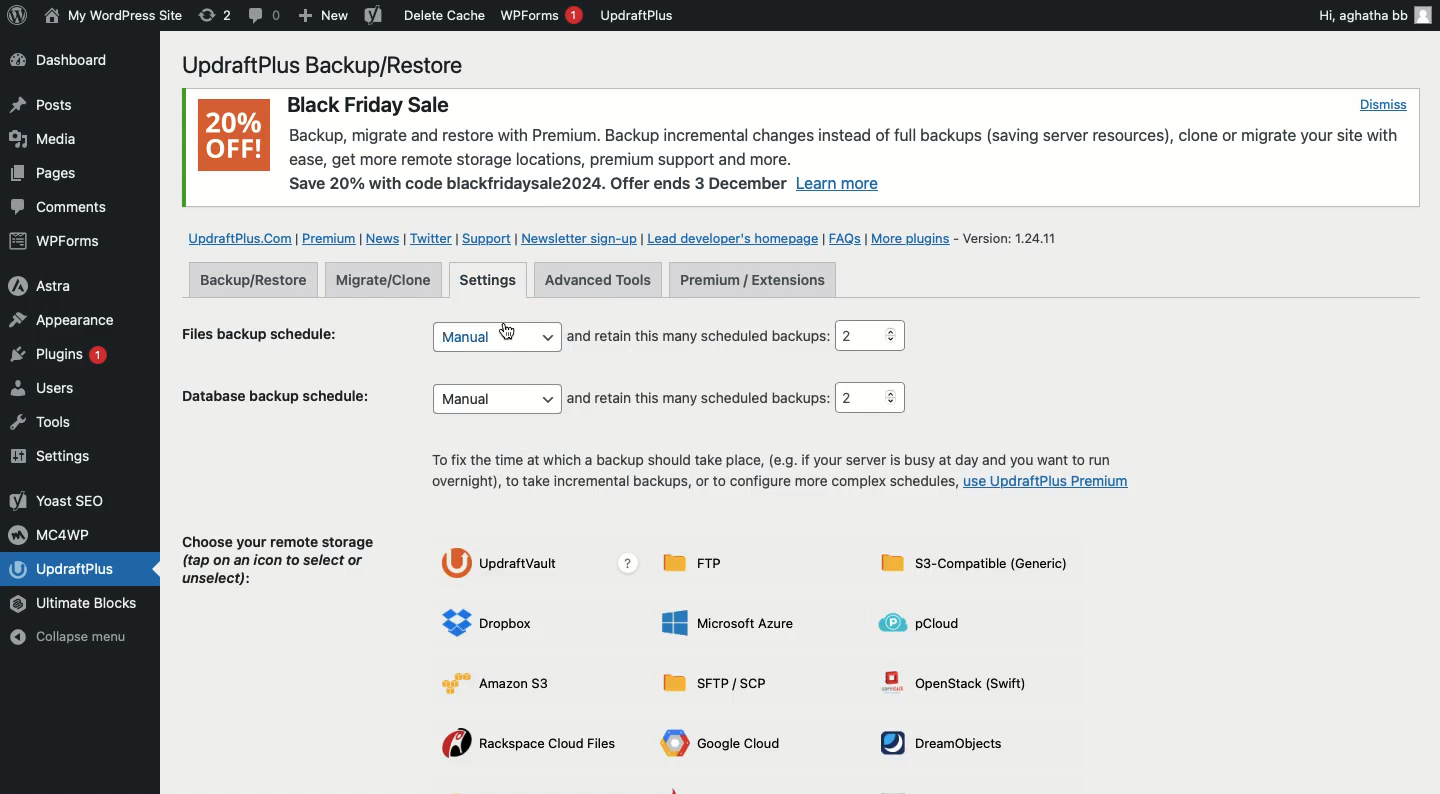  I want to click on Database backup schedule, so click(280, 400).